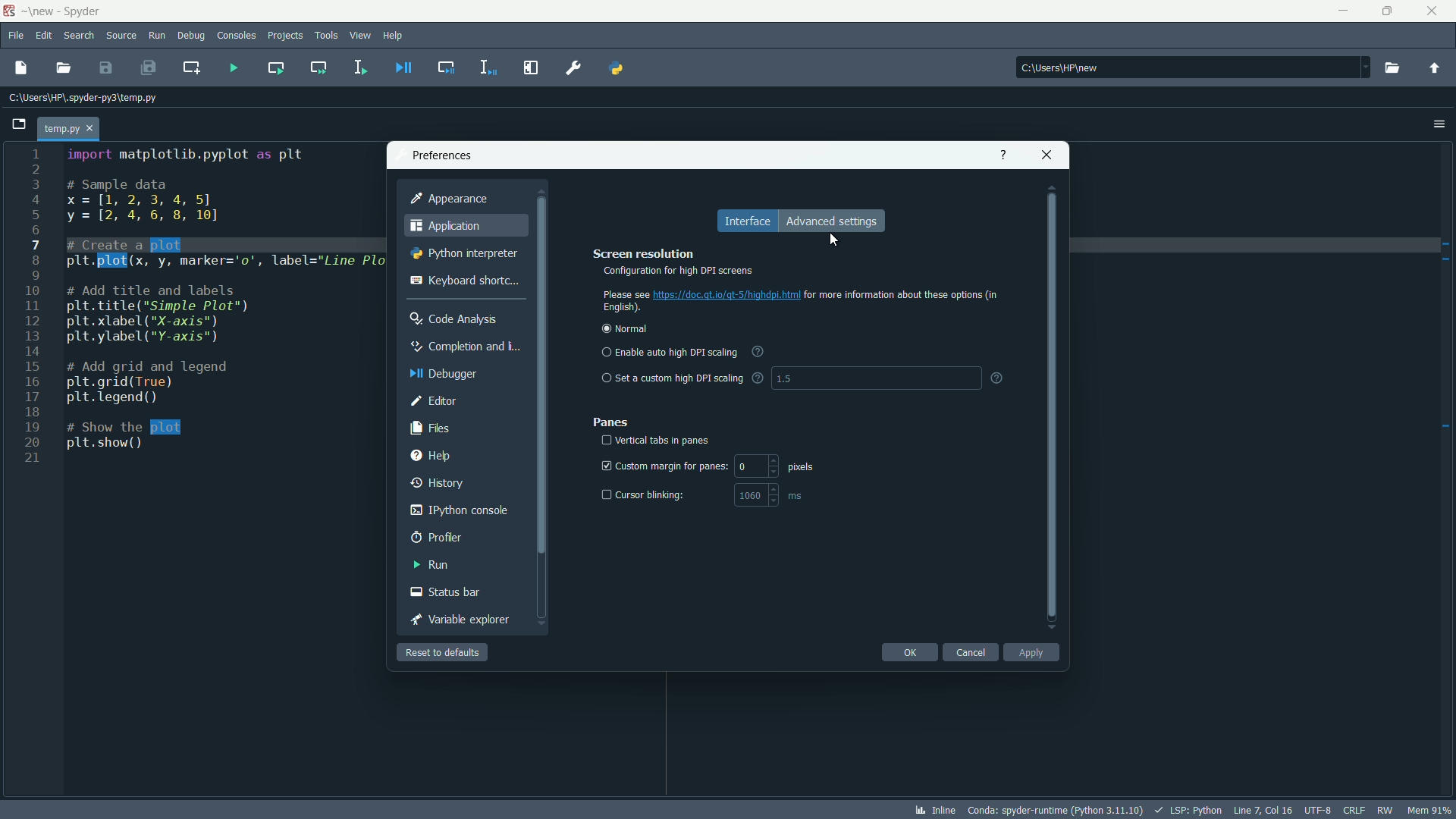 The width and height of the screenshot is (1456, 819). What do you see at coordinates (998, 378) in the screenshot?
I see `more info` at bounding box center [998, 378].